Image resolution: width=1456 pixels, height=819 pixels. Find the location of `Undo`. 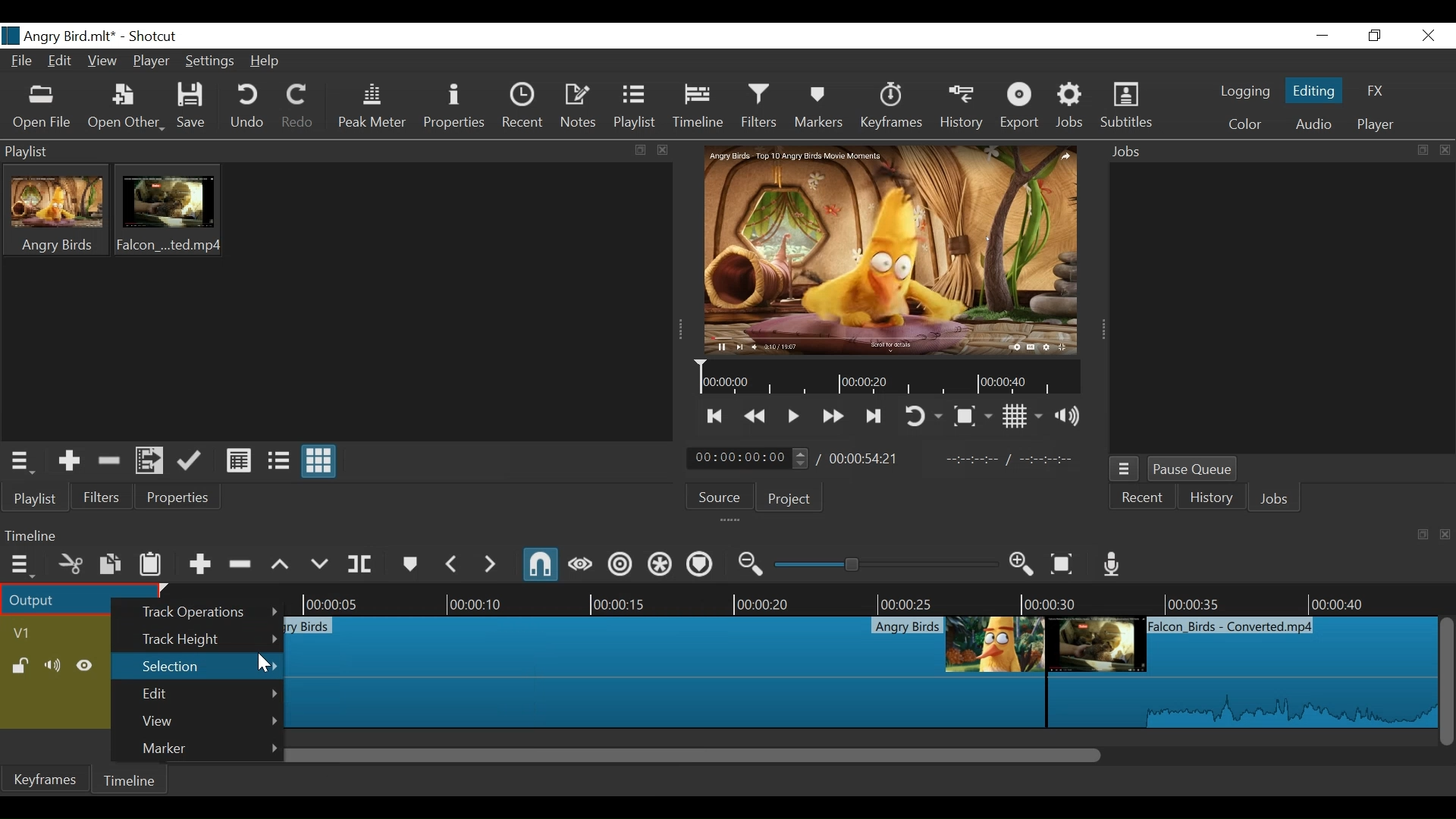

Undo is located at coordinates (249, 108).